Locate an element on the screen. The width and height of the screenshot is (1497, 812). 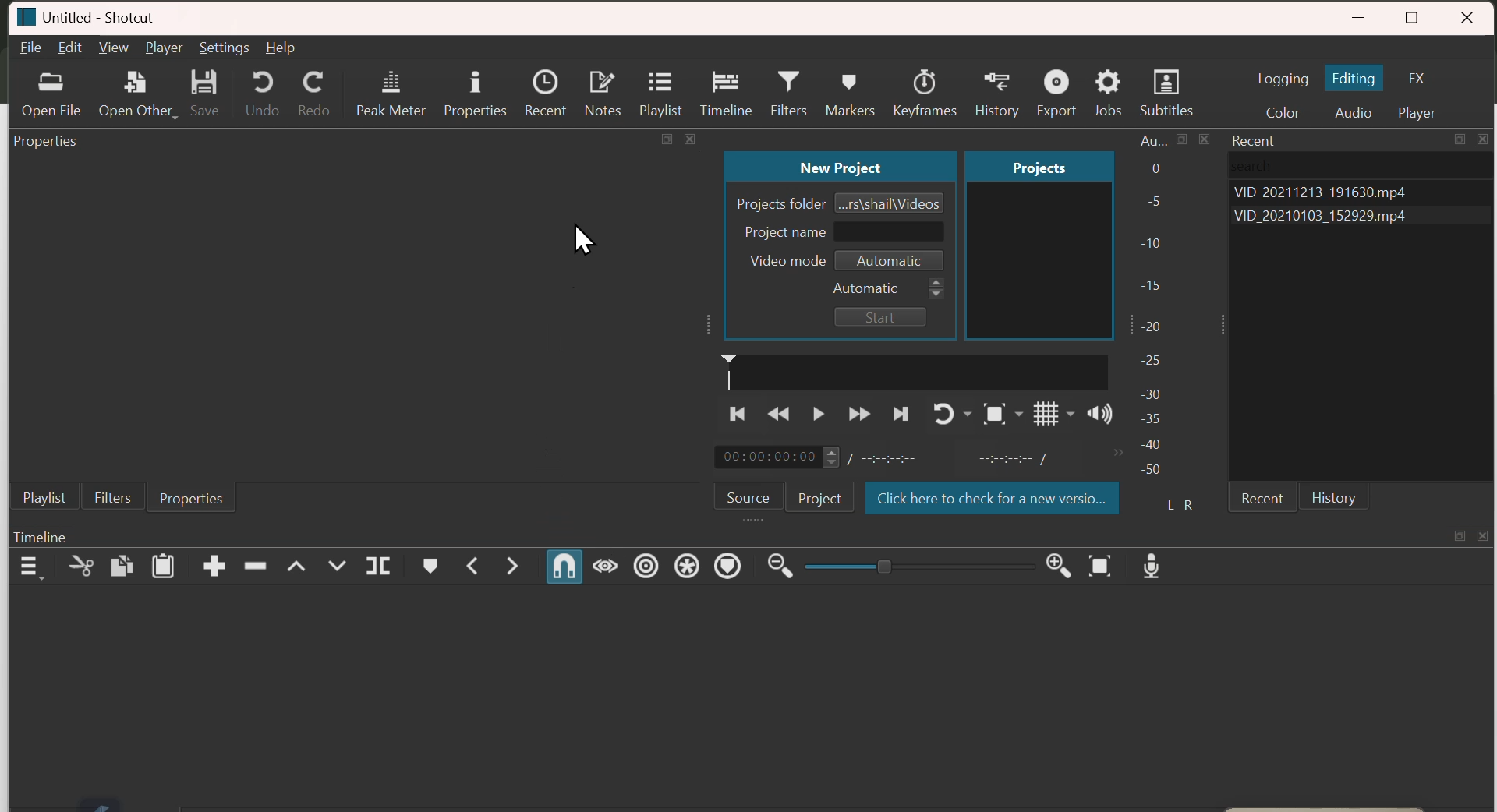
Drag Handle is located at coordinates (706, 325).